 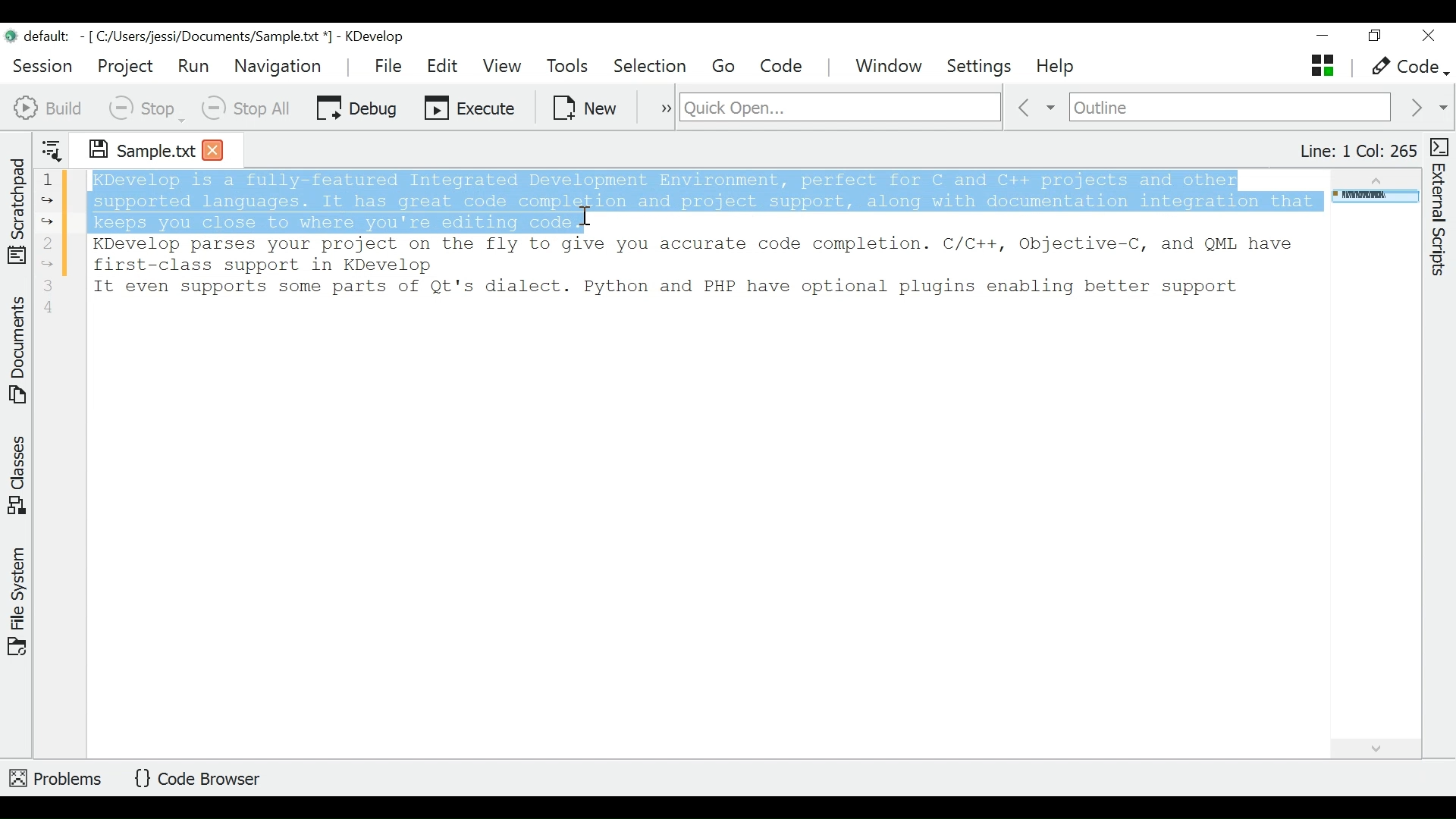 I want to click on Help, so click(x=1057, y=67).